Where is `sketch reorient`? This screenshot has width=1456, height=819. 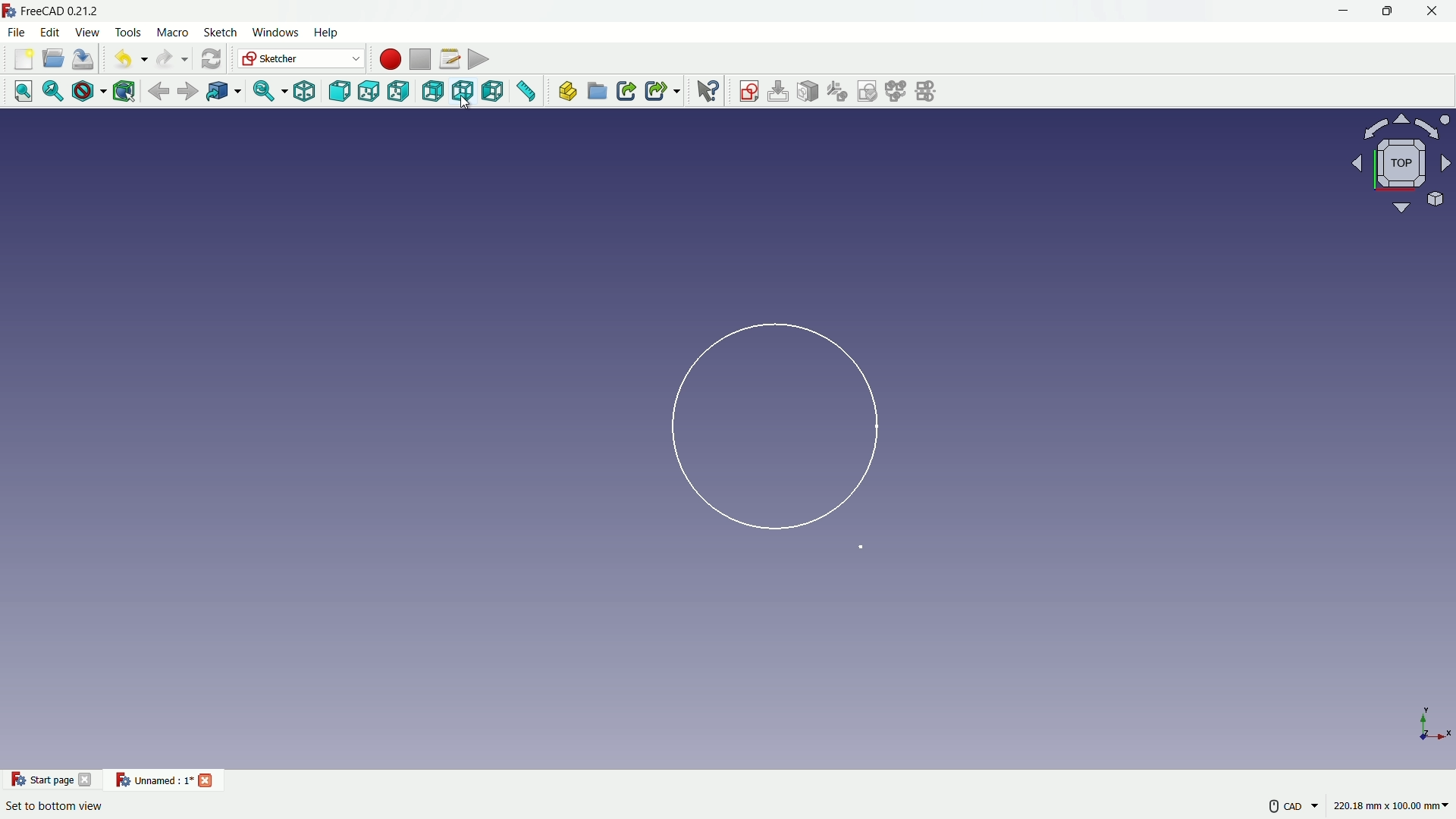 sketch reorient is located at coordinates (838, 92).